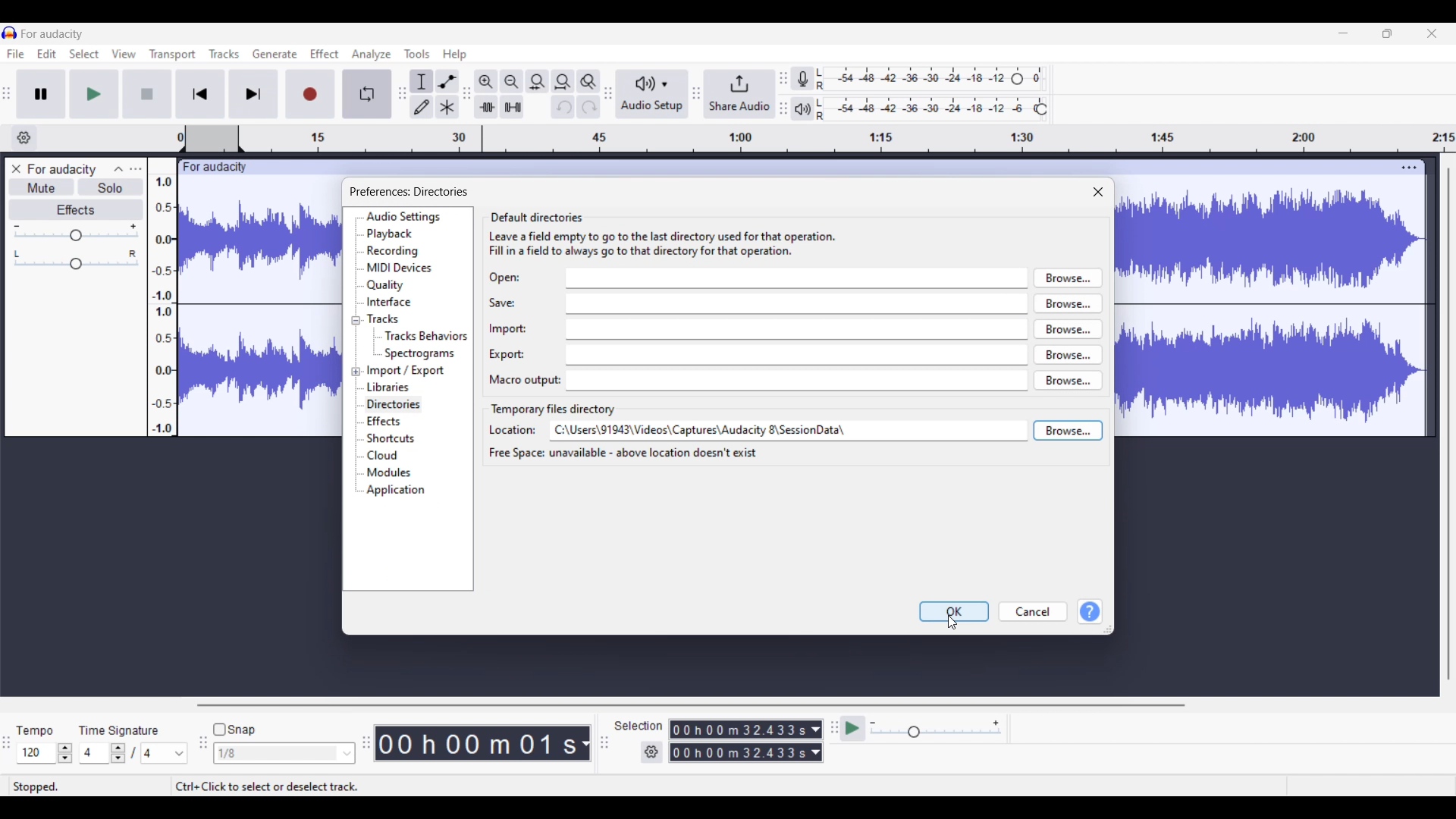  Describe the element at coordinates (95, 94) in the screenshot. I see `Play/Play once` at that location.